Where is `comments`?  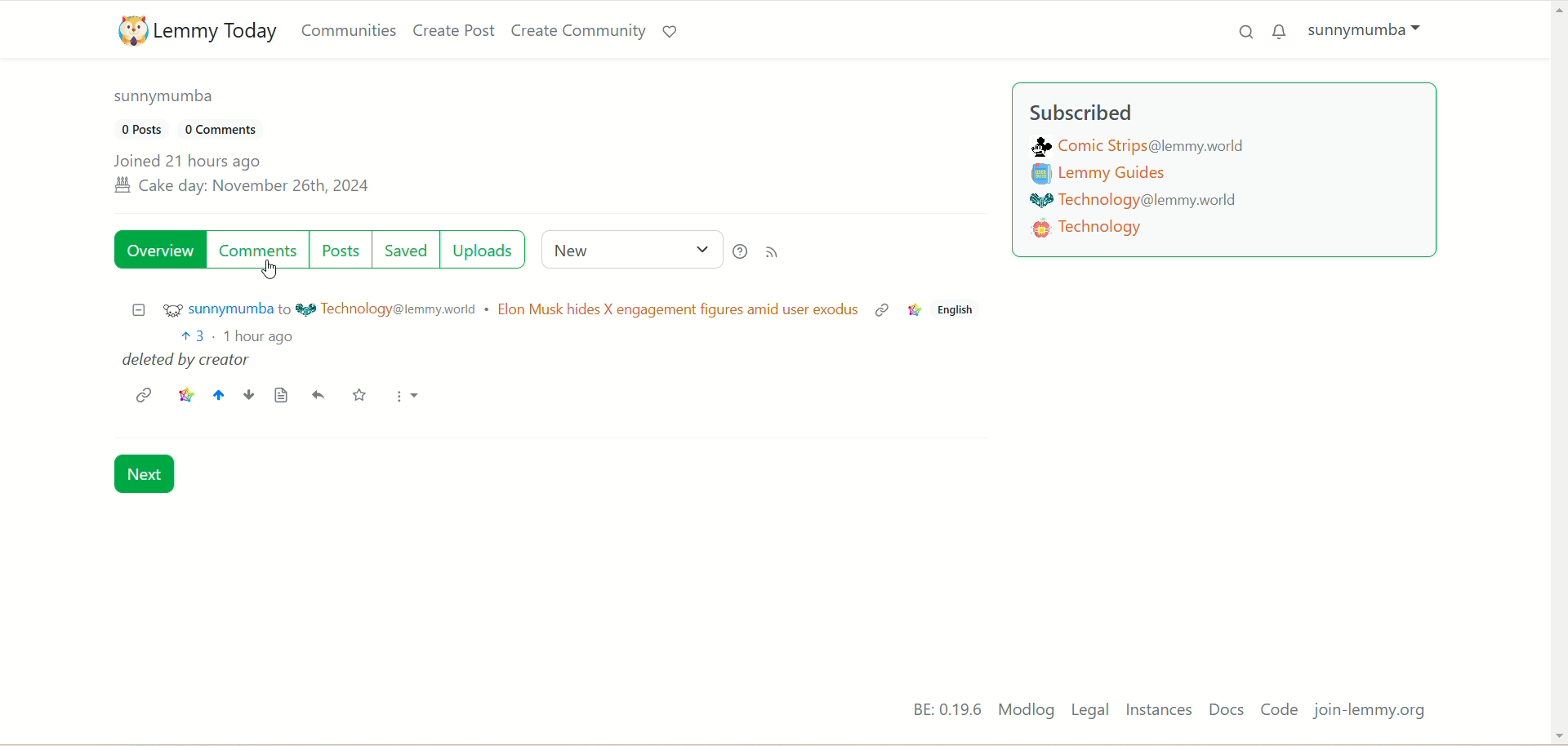 comments is located at coordinates (257, 251).